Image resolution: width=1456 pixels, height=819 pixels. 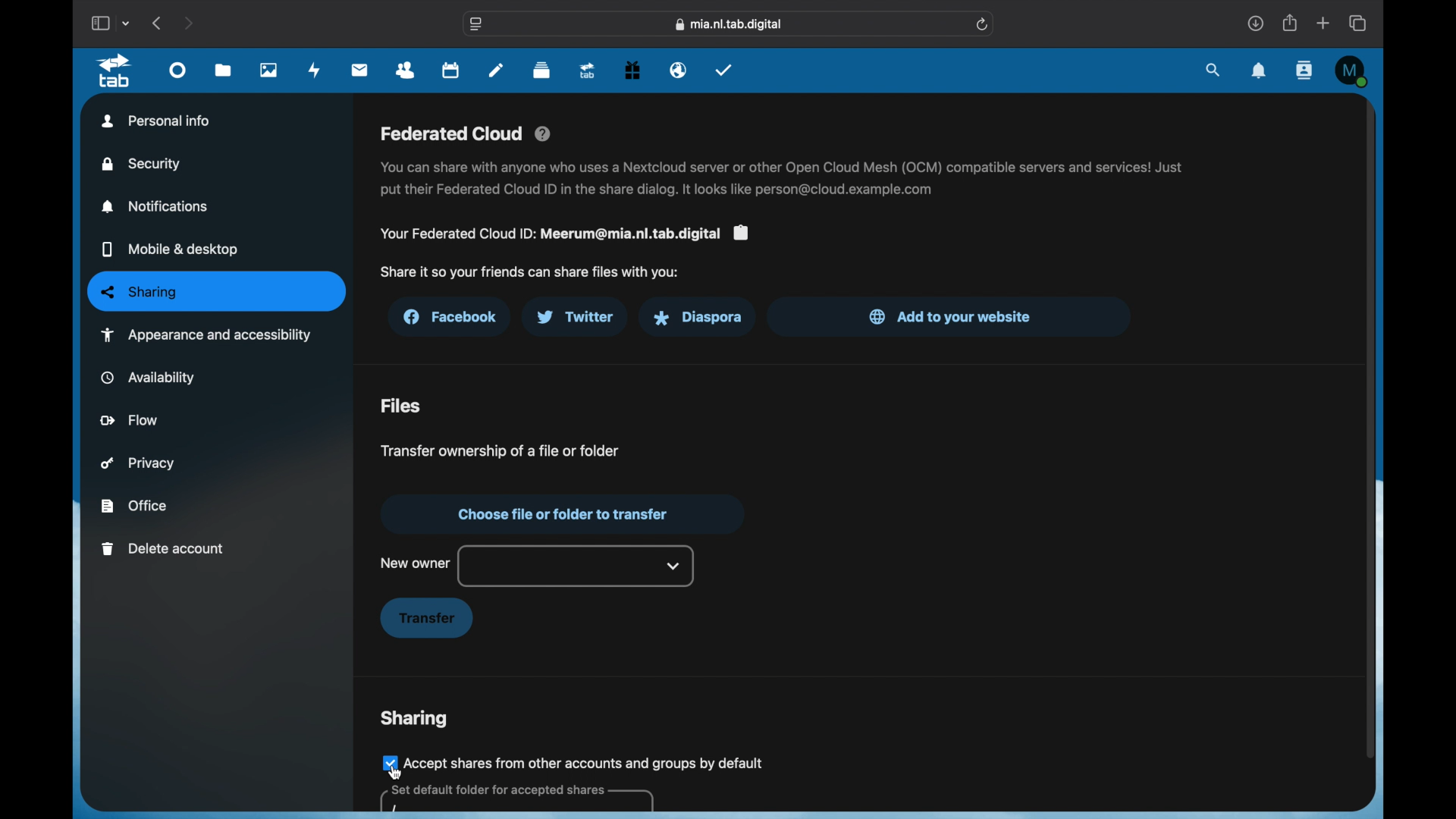 What do you see at coordinates (170, 250) in the screenshot?
I see `mobile and desktop` at bounding box center [170, 250].